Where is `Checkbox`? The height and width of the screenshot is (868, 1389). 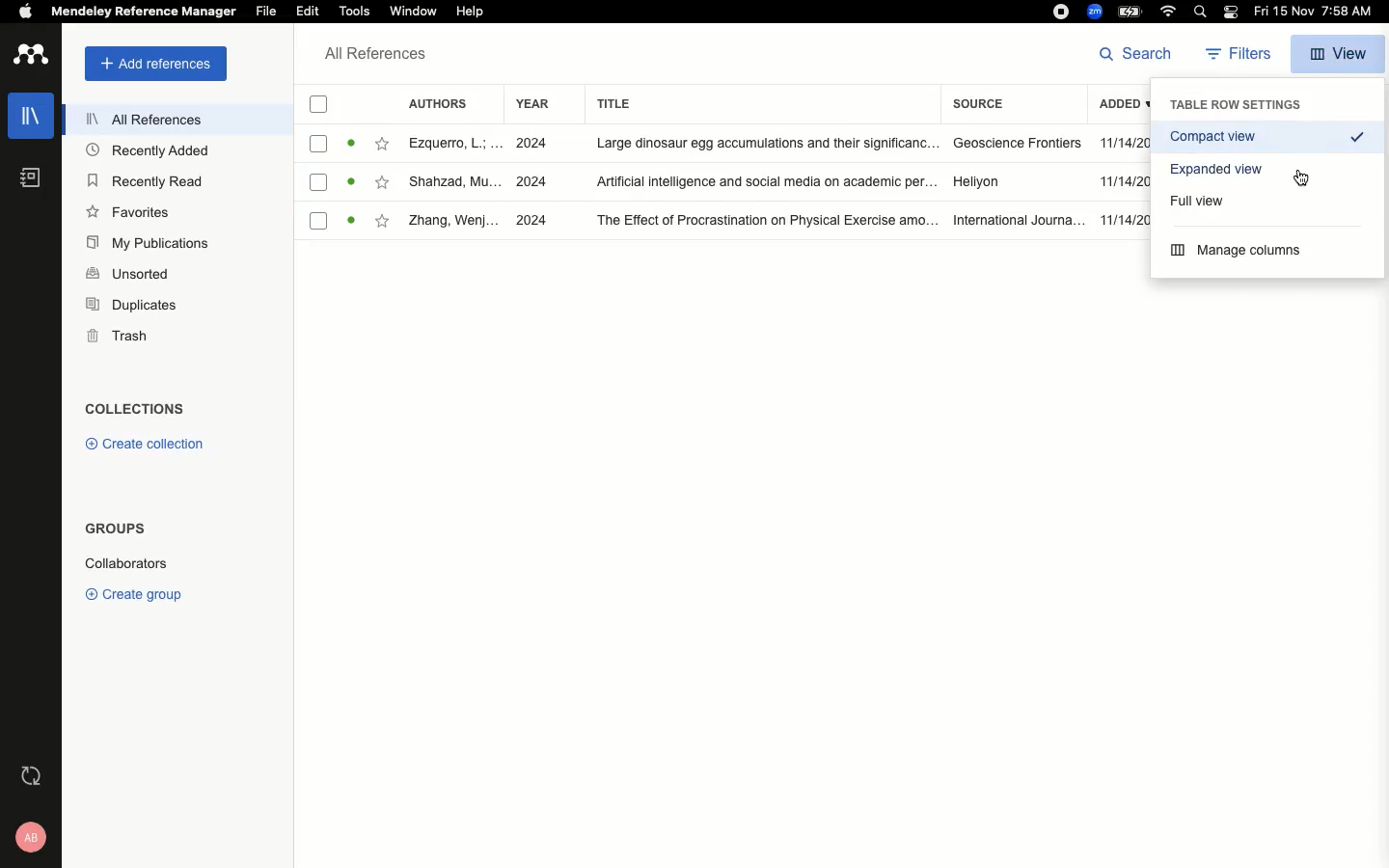
Checkbox is located at coordinates (319, 181).